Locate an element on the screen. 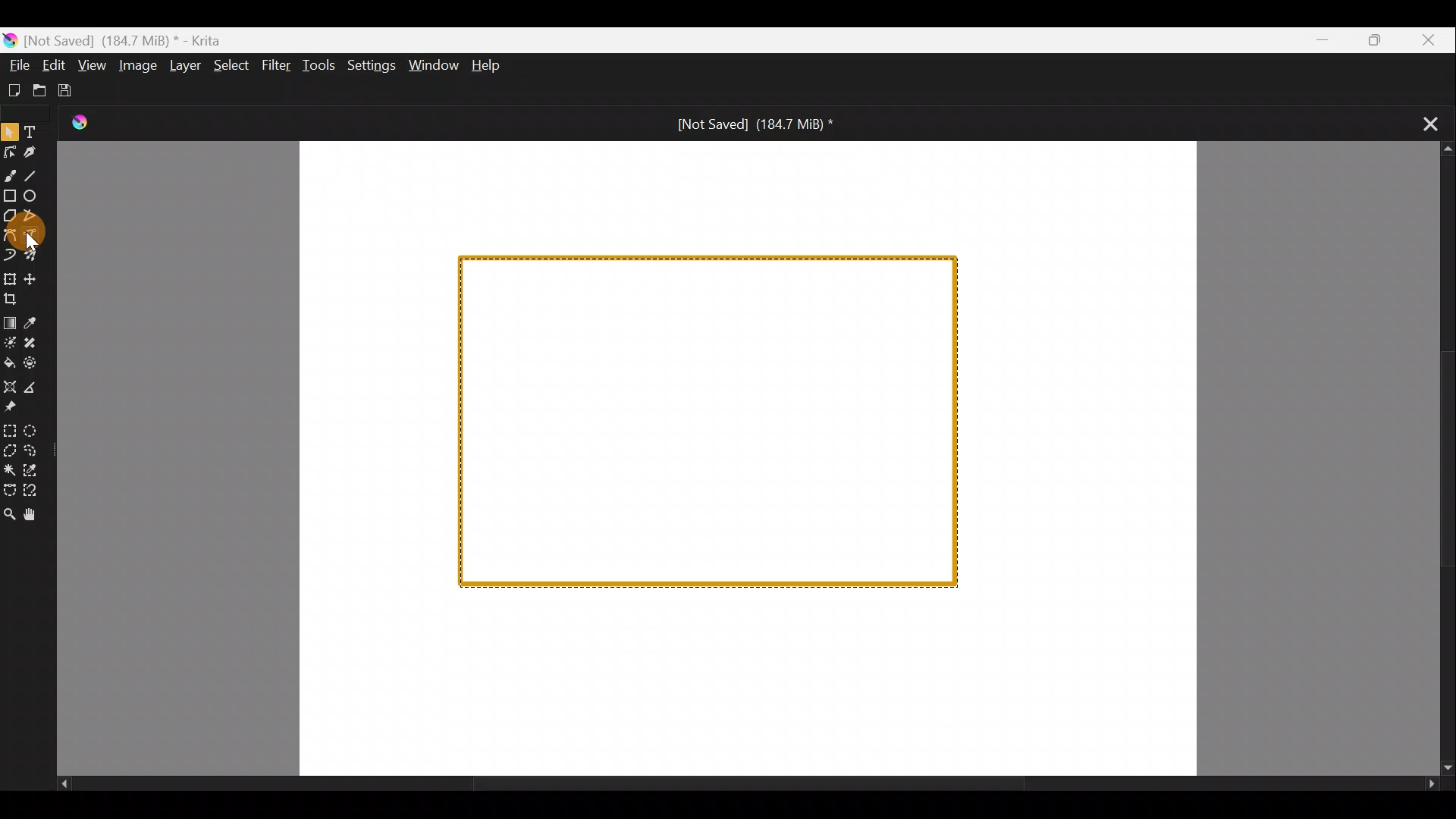  Scroll bar is located at coordinates (1434, 460).